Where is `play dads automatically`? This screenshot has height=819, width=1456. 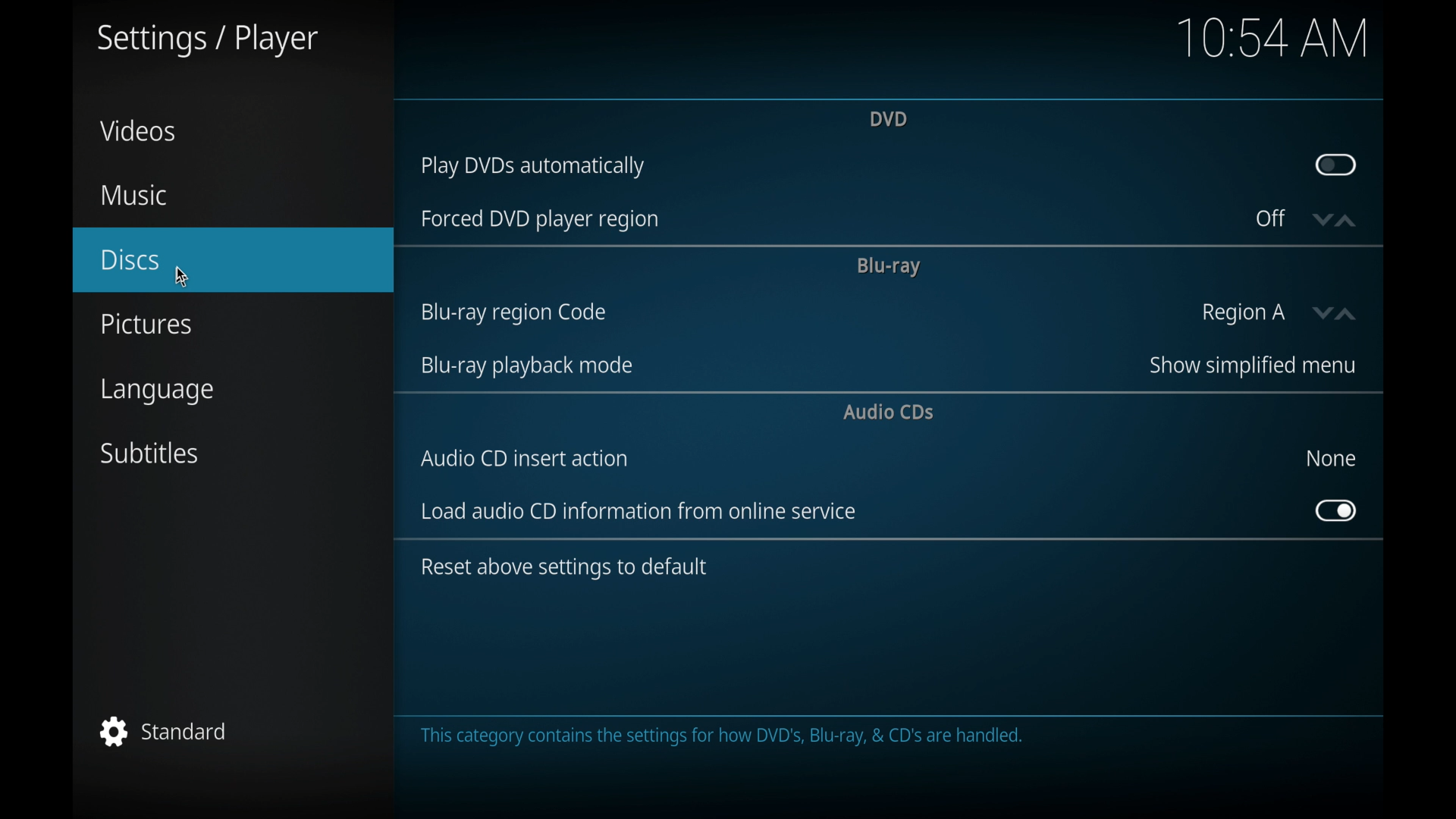 play dads automatically is located at coordinates (532, 168).